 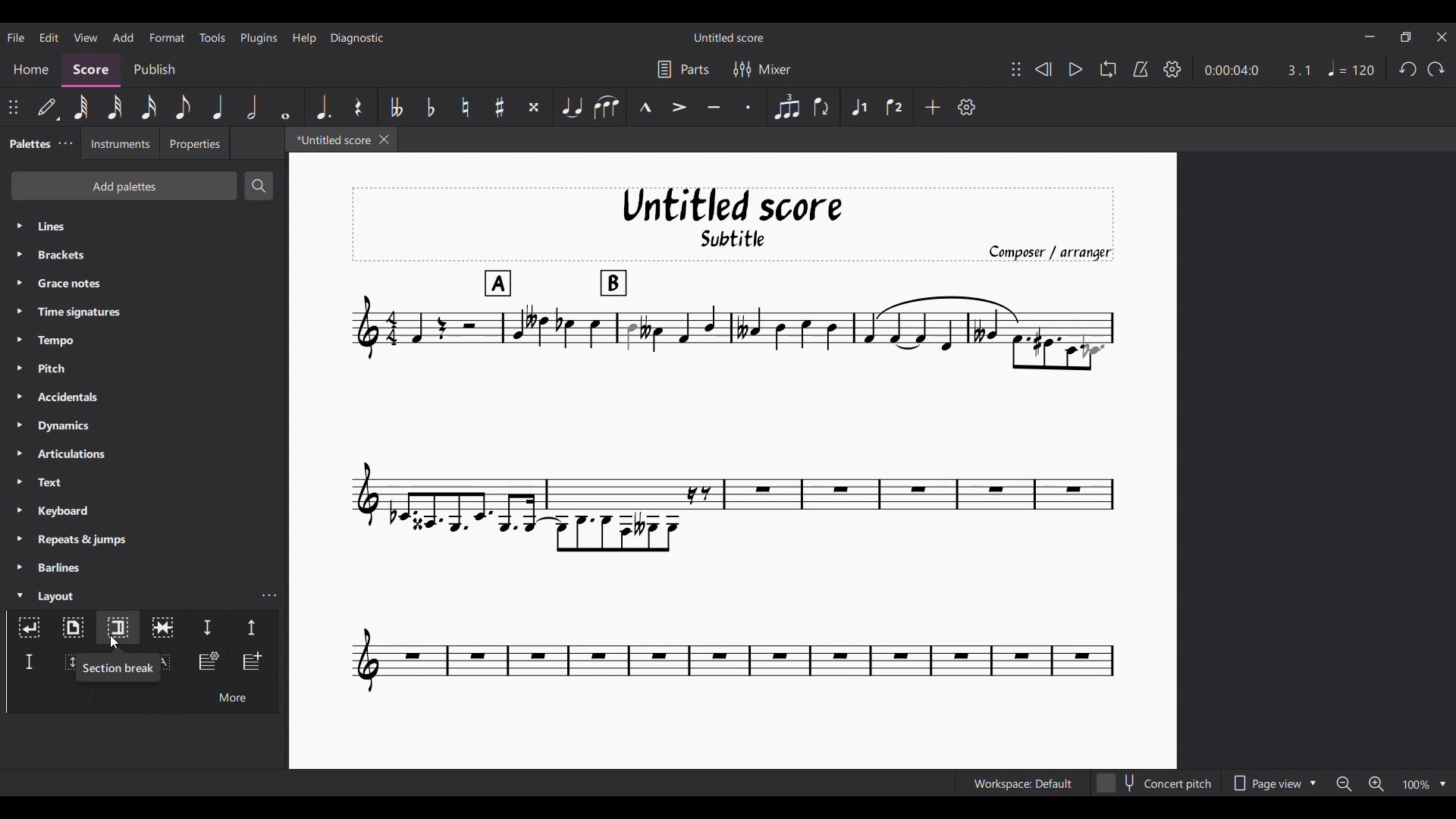 What do you see at coordinates (1172, 69) in the screenshot?
I see `Settings` at bounding box center [1172, 69].